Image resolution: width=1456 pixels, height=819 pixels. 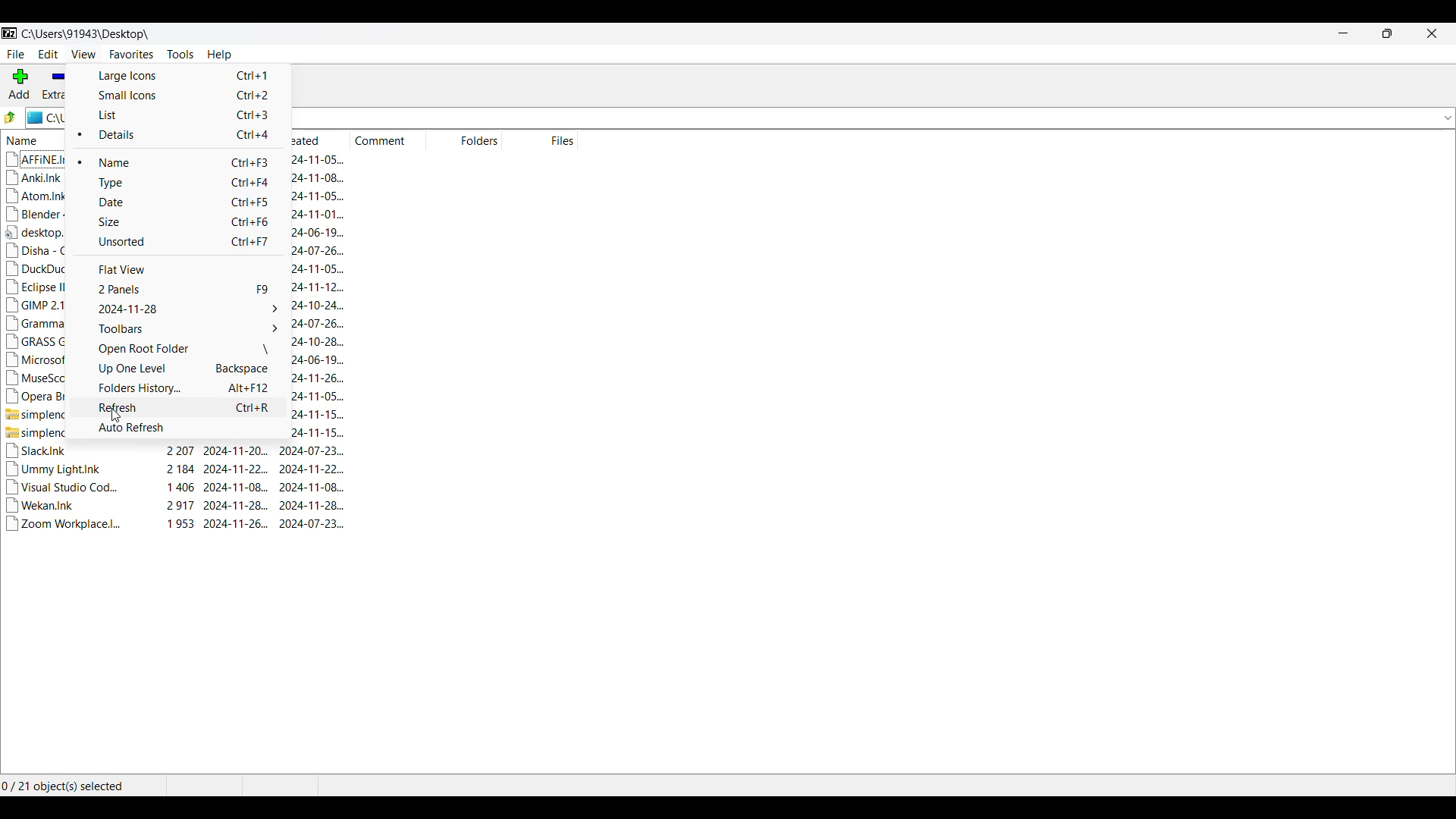 What do you see at coordinates (388, 140) in the screenshot?
I see `Comment` at bounding box center [388, 140].